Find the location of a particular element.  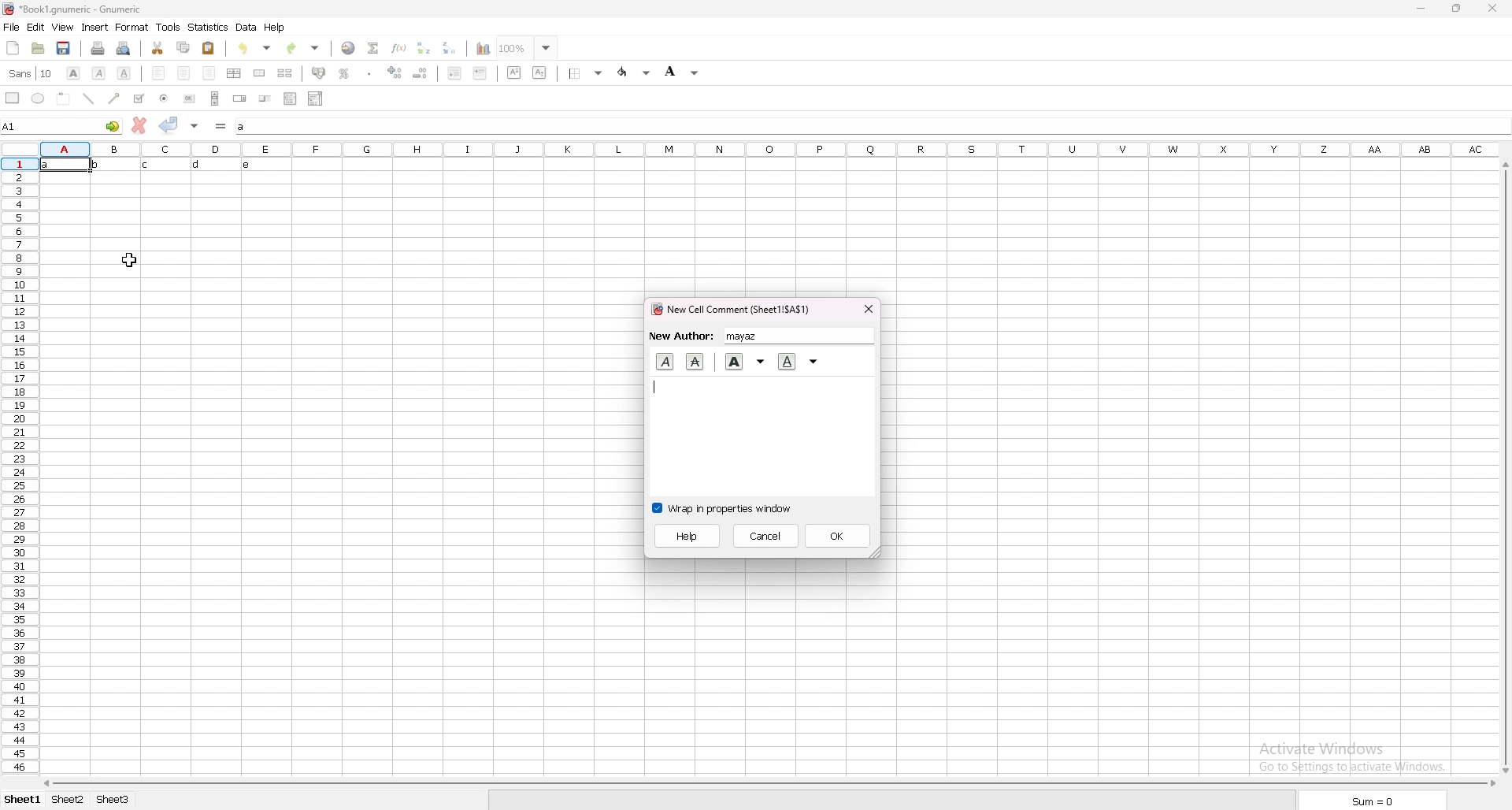

sheet2 is located at coordinates (69, 800).